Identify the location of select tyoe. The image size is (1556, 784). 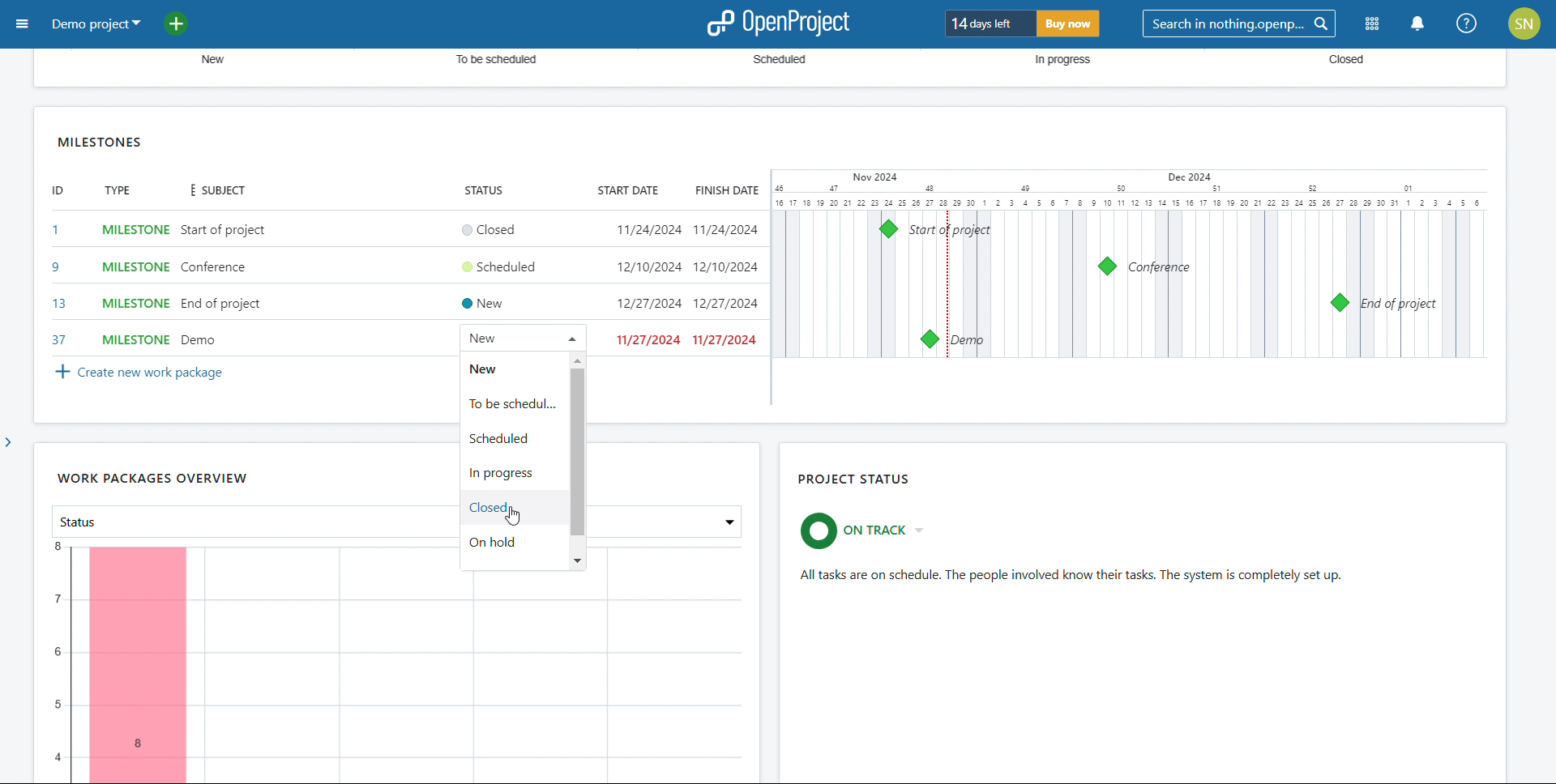
(136, 285).